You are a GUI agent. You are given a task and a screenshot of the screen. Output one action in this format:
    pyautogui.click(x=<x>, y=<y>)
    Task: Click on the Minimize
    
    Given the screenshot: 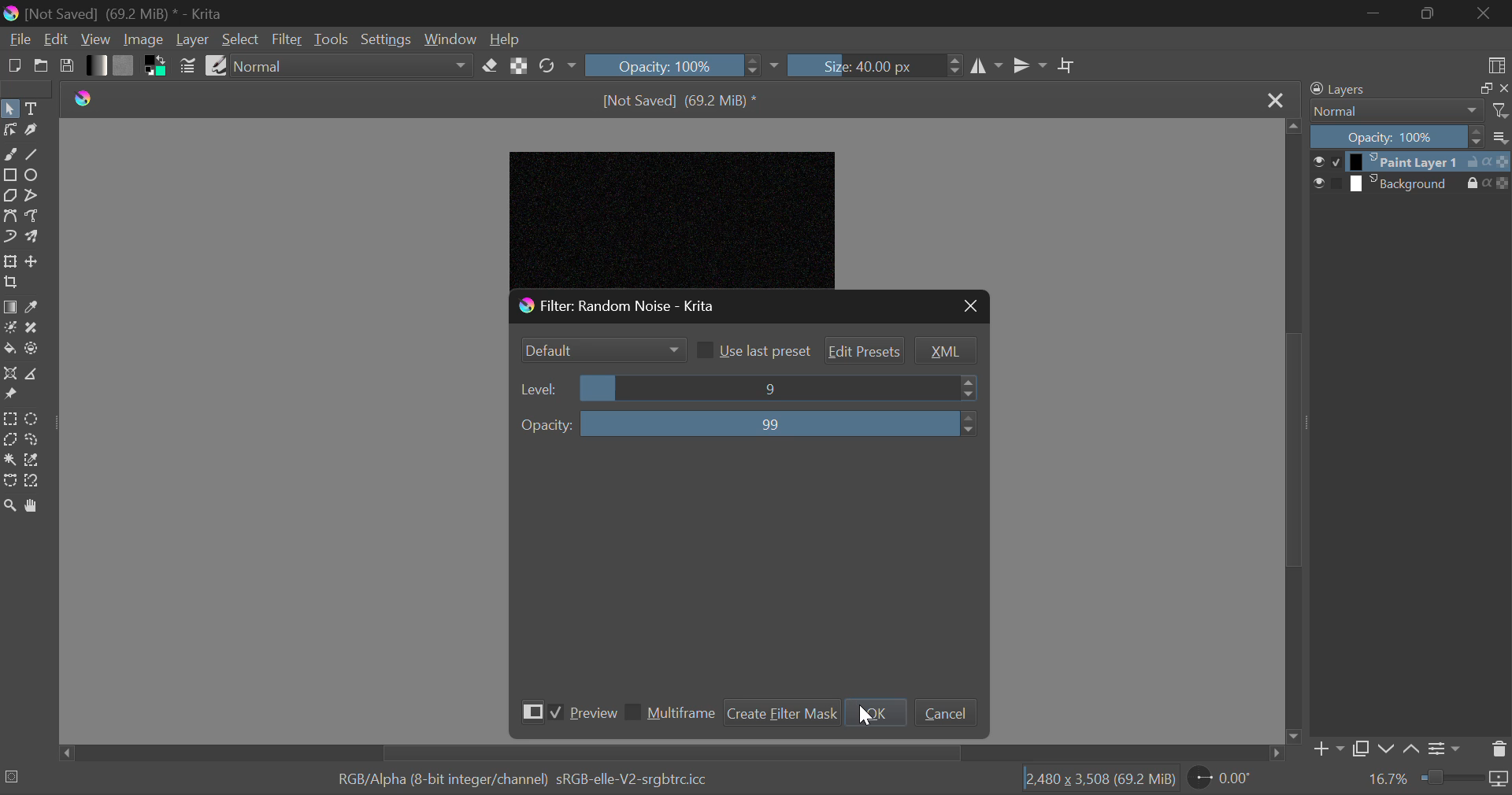 What is the action you would take?
    pyautogui.click(x=1426, y=13)
    